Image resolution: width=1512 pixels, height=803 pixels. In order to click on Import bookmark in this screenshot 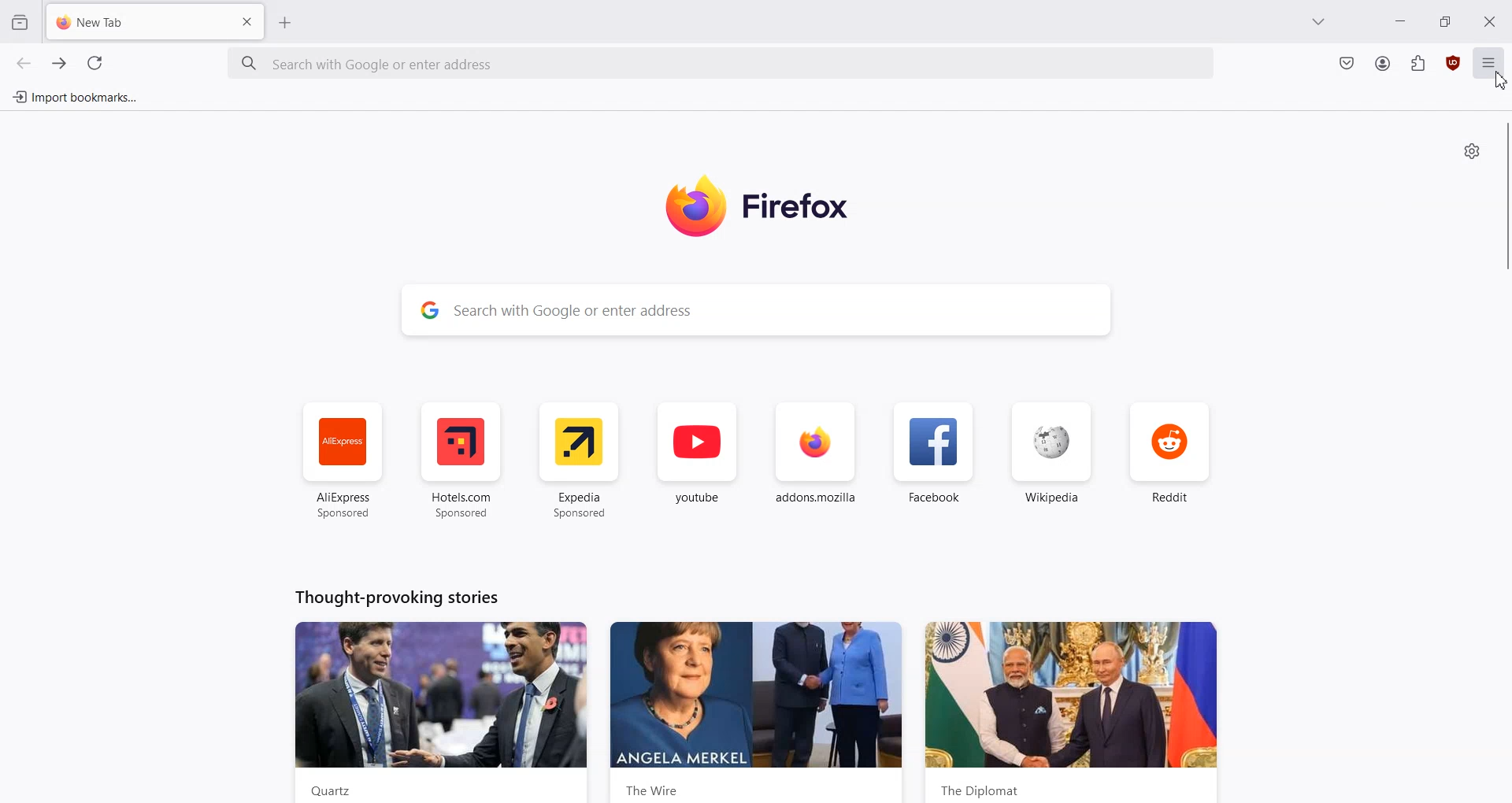, I will do `click(74, 94)`.